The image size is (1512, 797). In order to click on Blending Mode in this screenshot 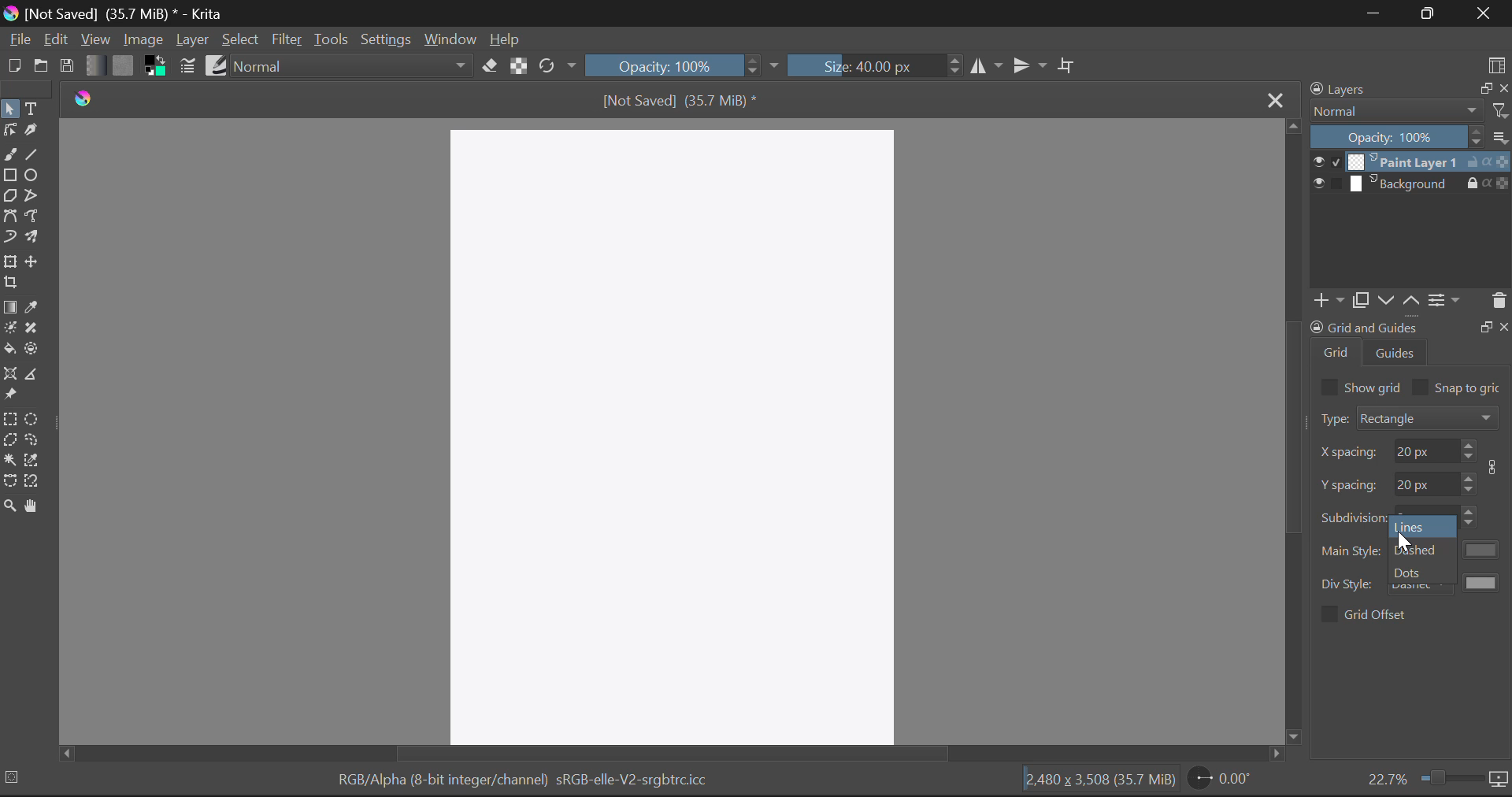, I will do `click(354, 65)`.